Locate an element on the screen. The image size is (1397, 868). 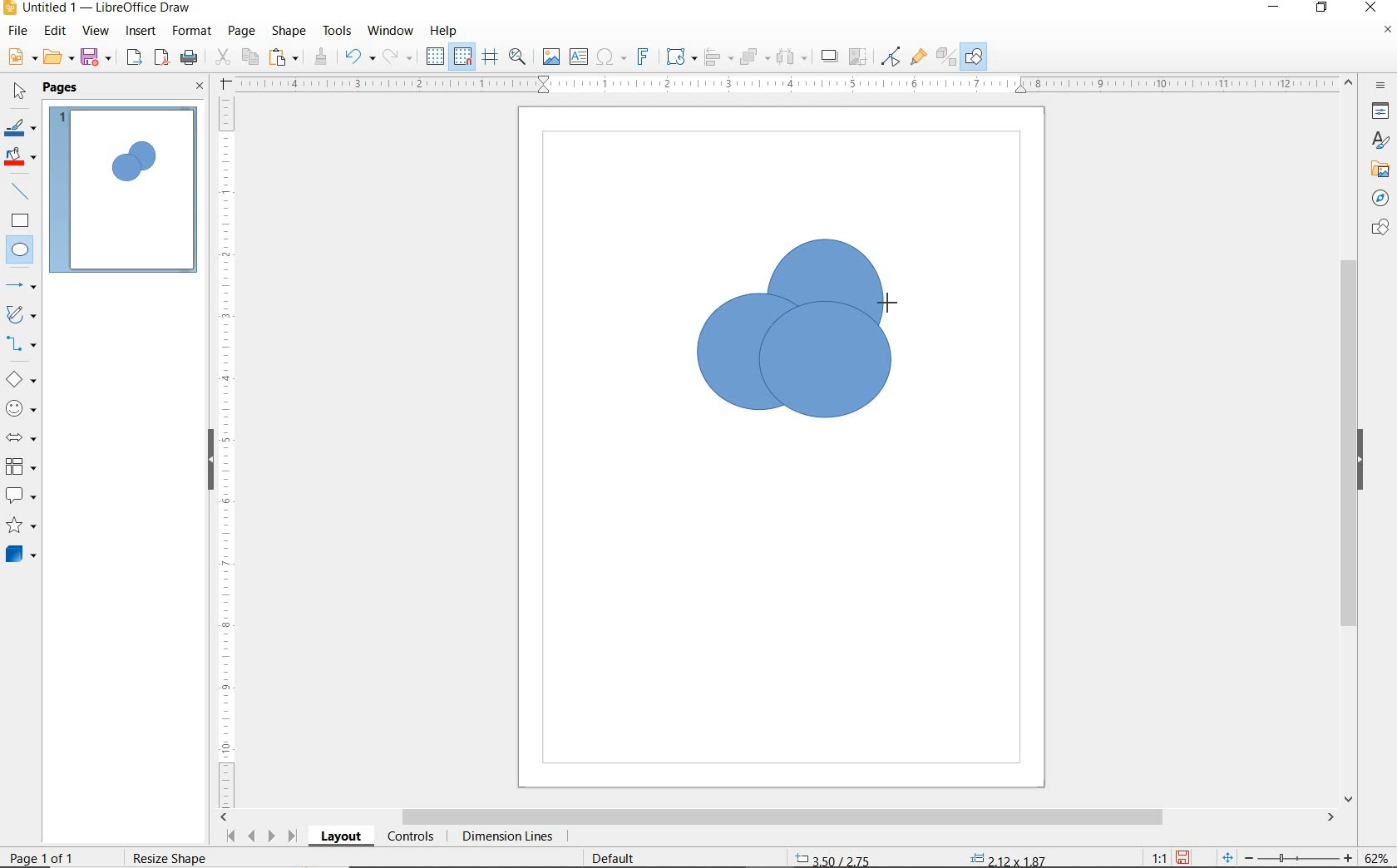
SAVE is located at coordinates (98, 57).